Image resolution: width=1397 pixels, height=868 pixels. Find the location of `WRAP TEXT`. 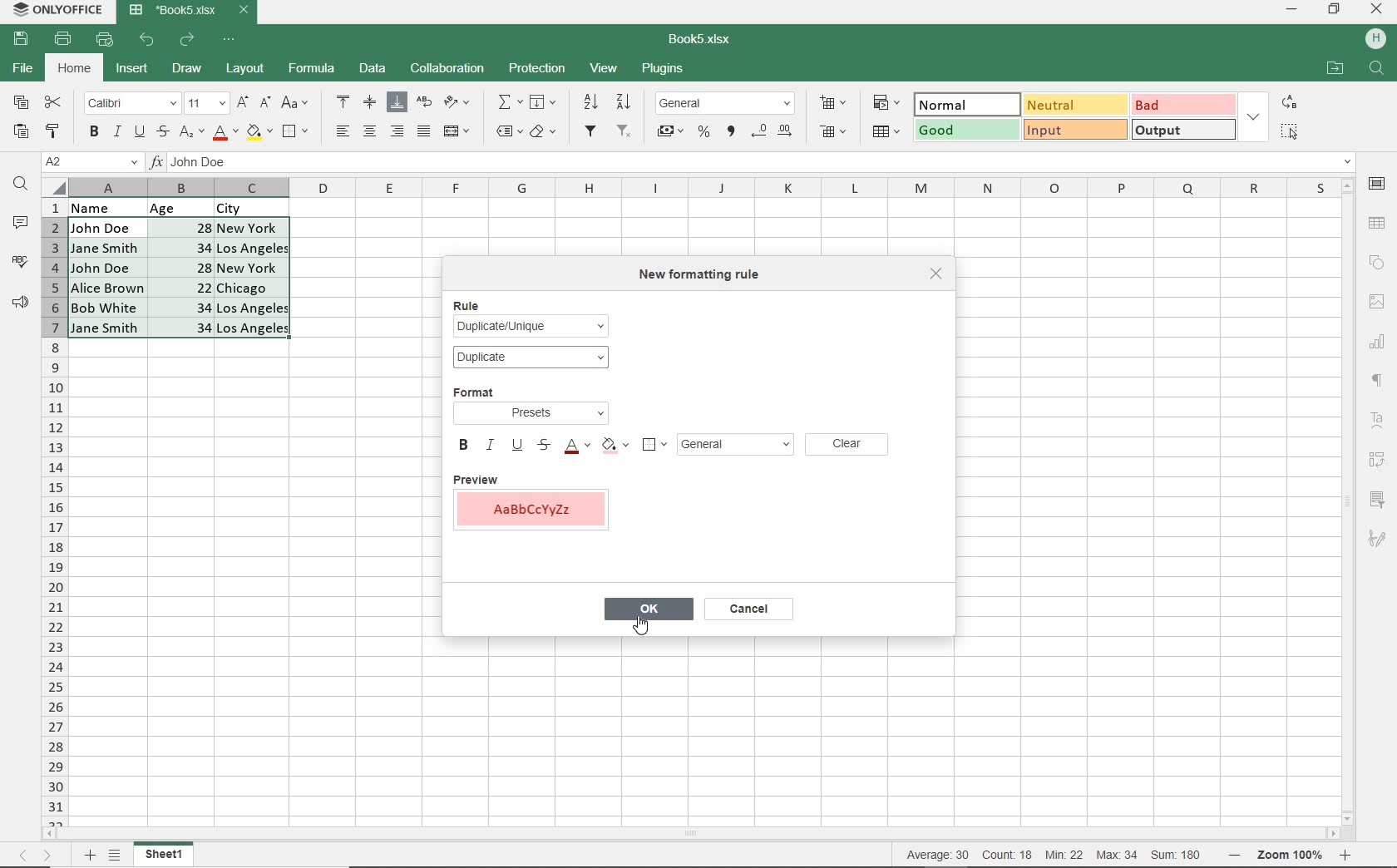

WRAP TEXT is located at coordinates (425, 104).